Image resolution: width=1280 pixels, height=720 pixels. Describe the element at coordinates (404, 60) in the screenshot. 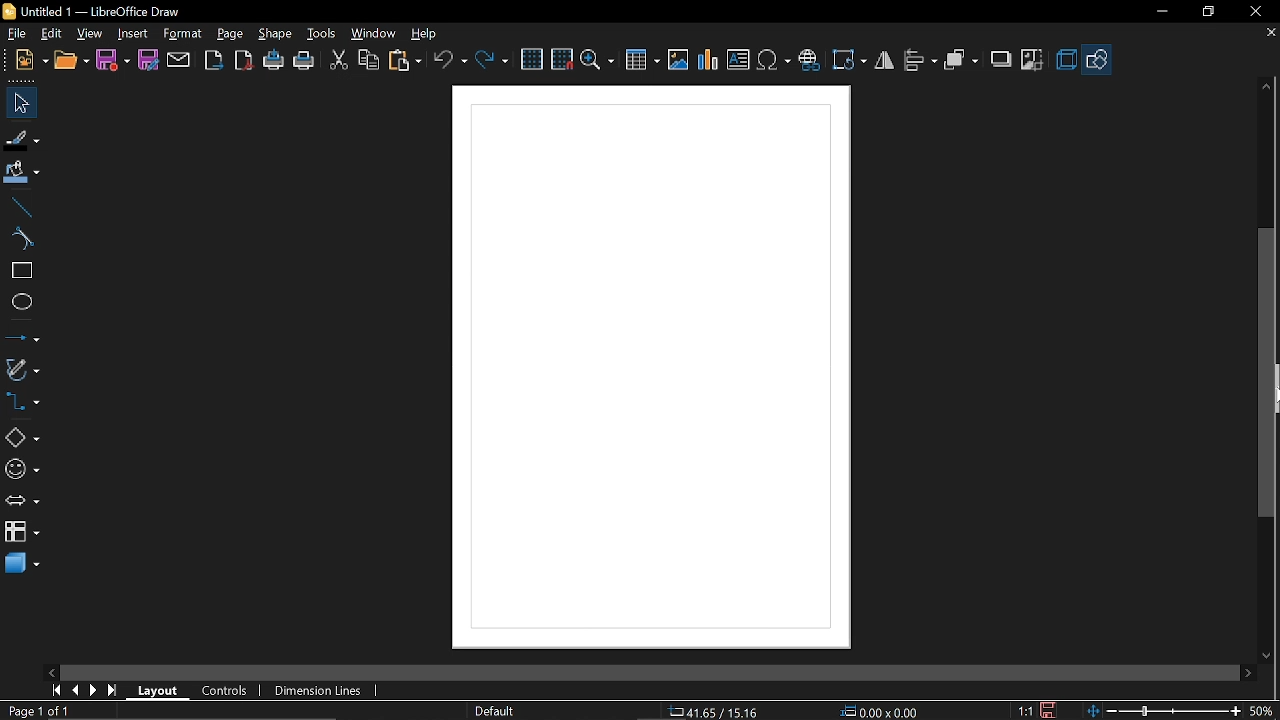

I see `paste` at that location.